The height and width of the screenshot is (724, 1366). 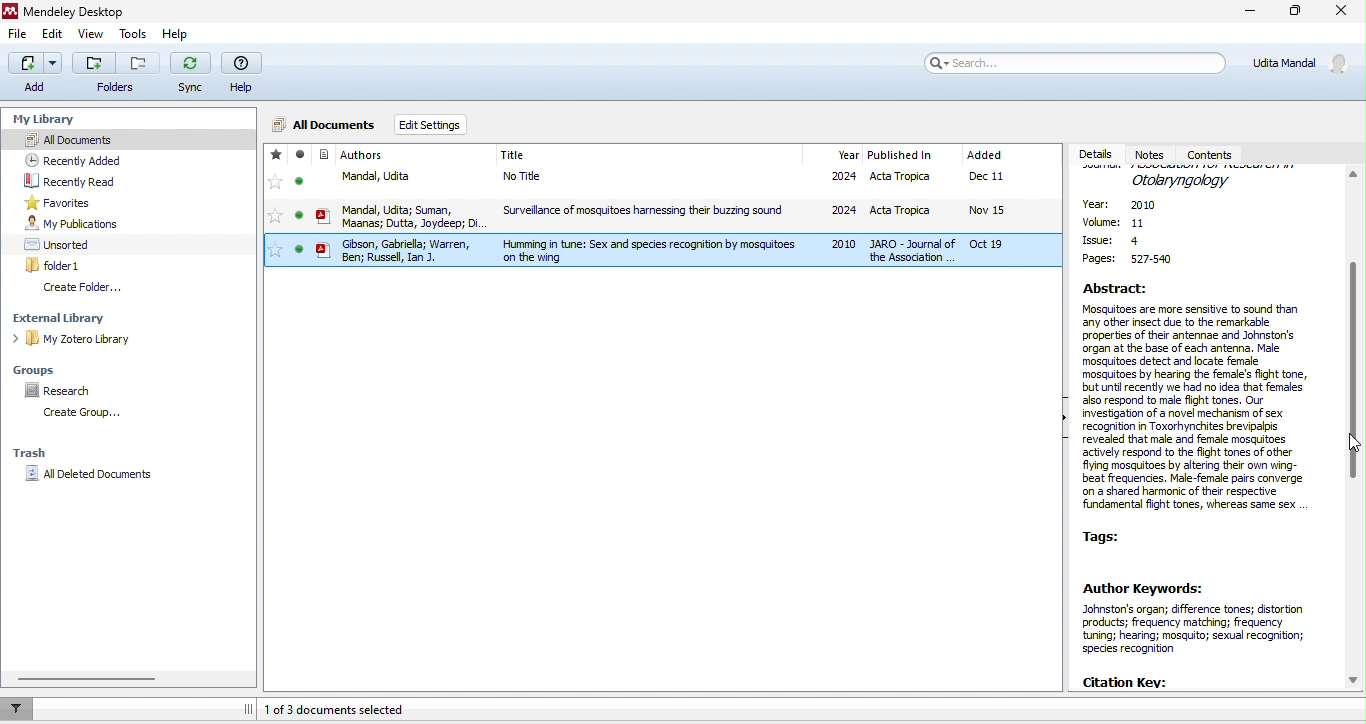 I want to click on file, so click(x=700, y=179).